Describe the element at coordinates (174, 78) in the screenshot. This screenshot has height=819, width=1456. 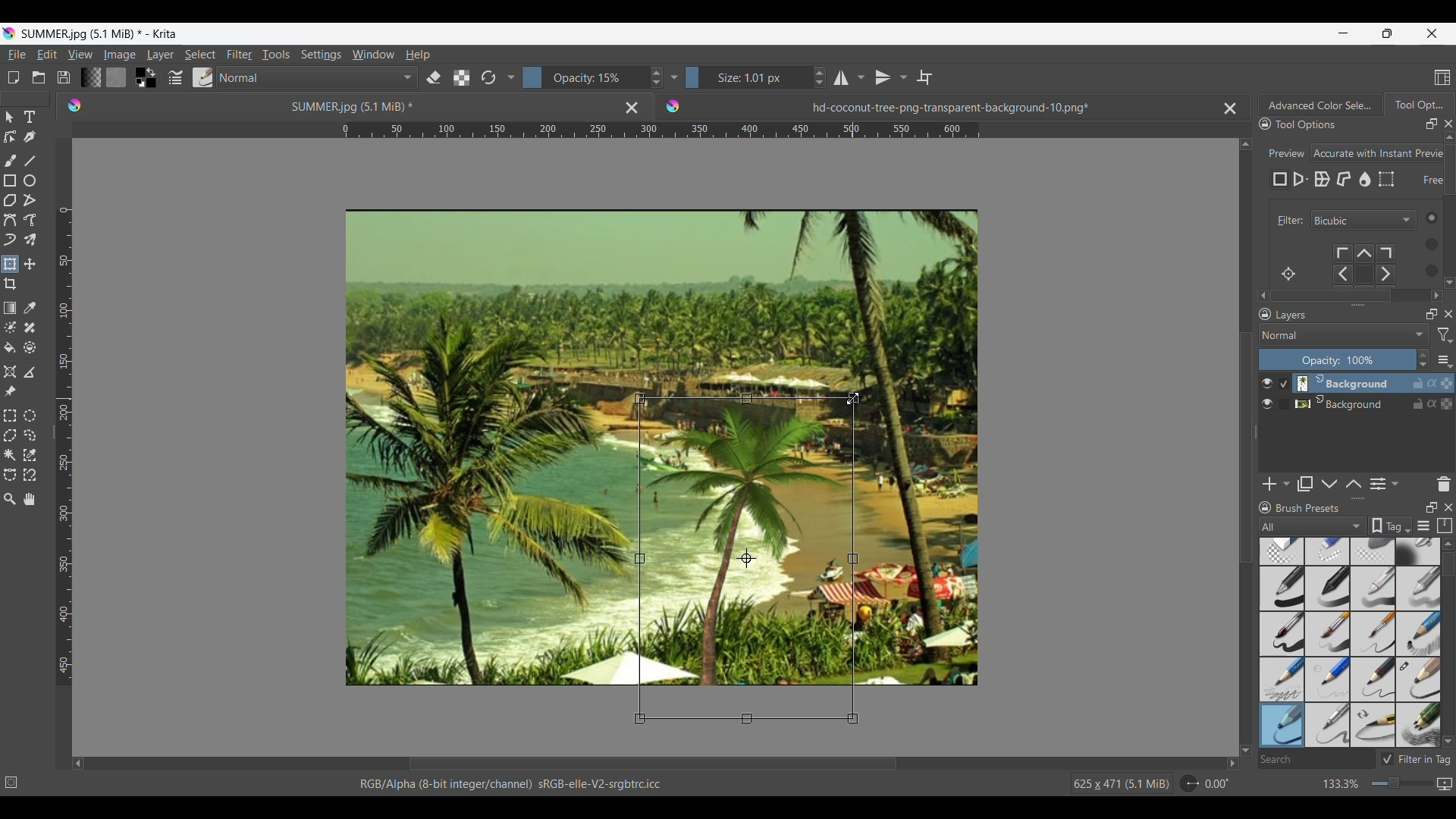
I see `Edit brush settings` at that location.